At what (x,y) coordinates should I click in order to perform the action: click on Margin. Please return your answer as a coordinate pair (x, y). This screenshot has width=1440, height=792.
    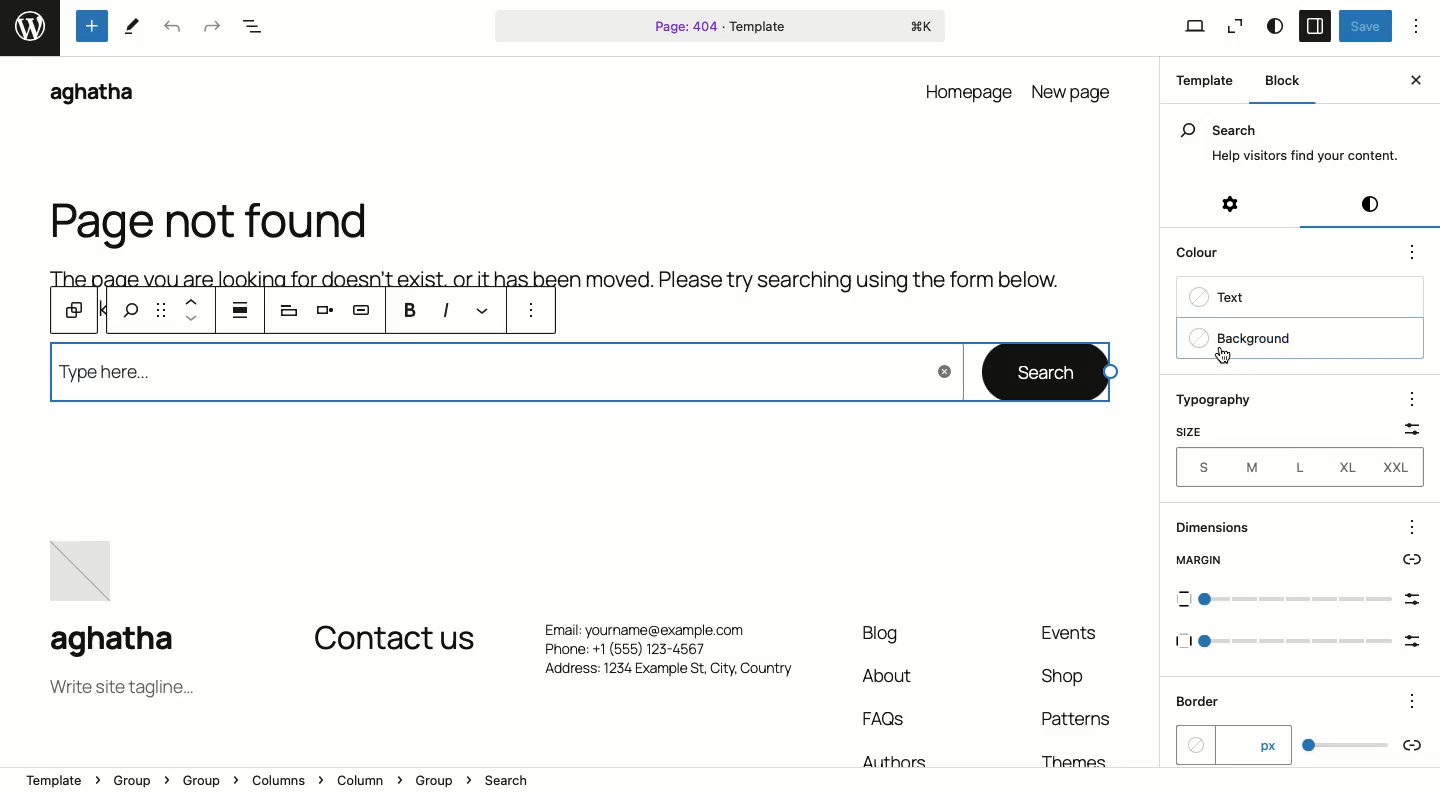
    Looking at the image, I should click on (1302, 561).